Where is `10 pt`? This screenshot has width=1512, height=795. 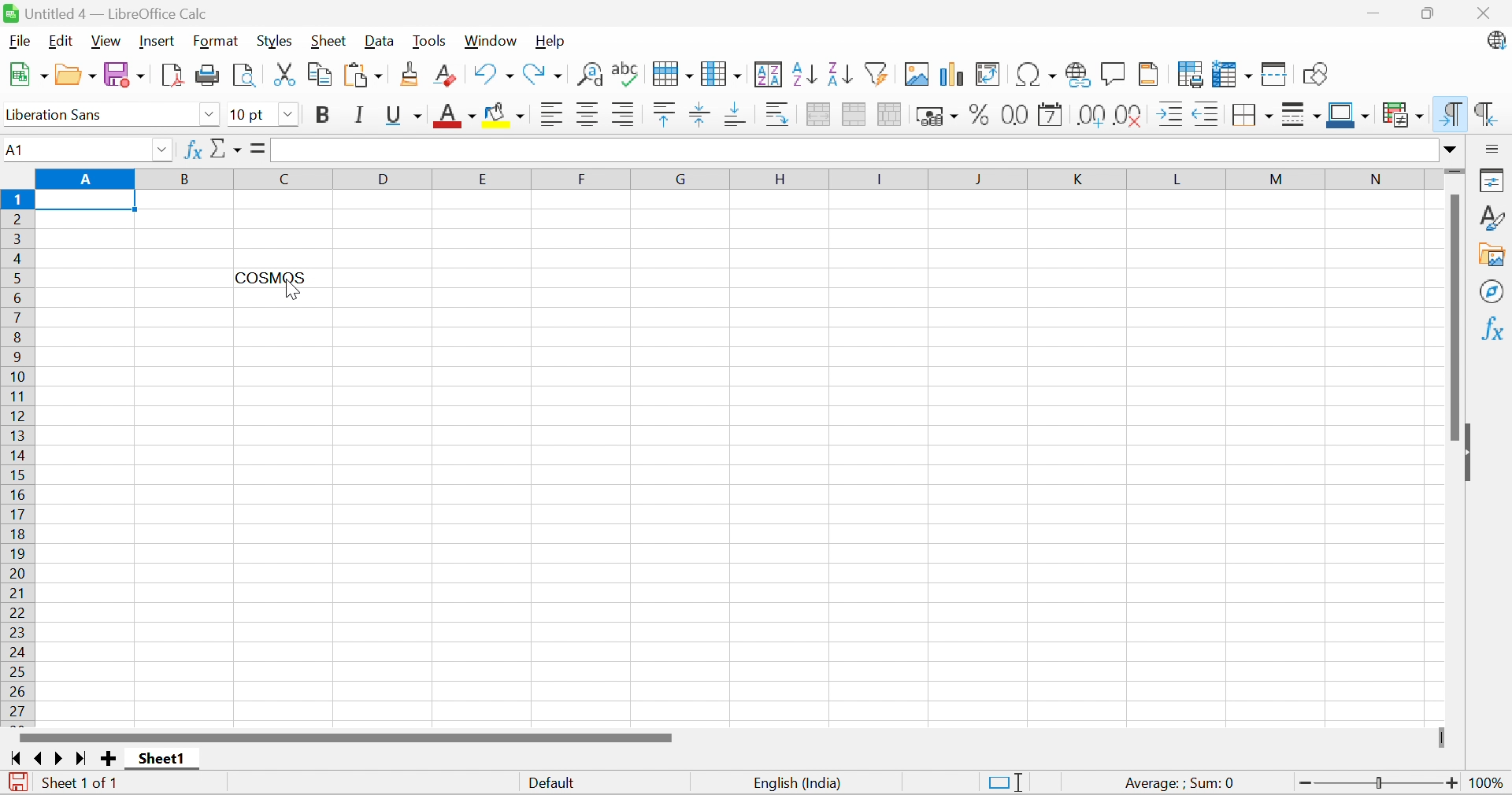 10 pt is located at coordinates (251, 115).